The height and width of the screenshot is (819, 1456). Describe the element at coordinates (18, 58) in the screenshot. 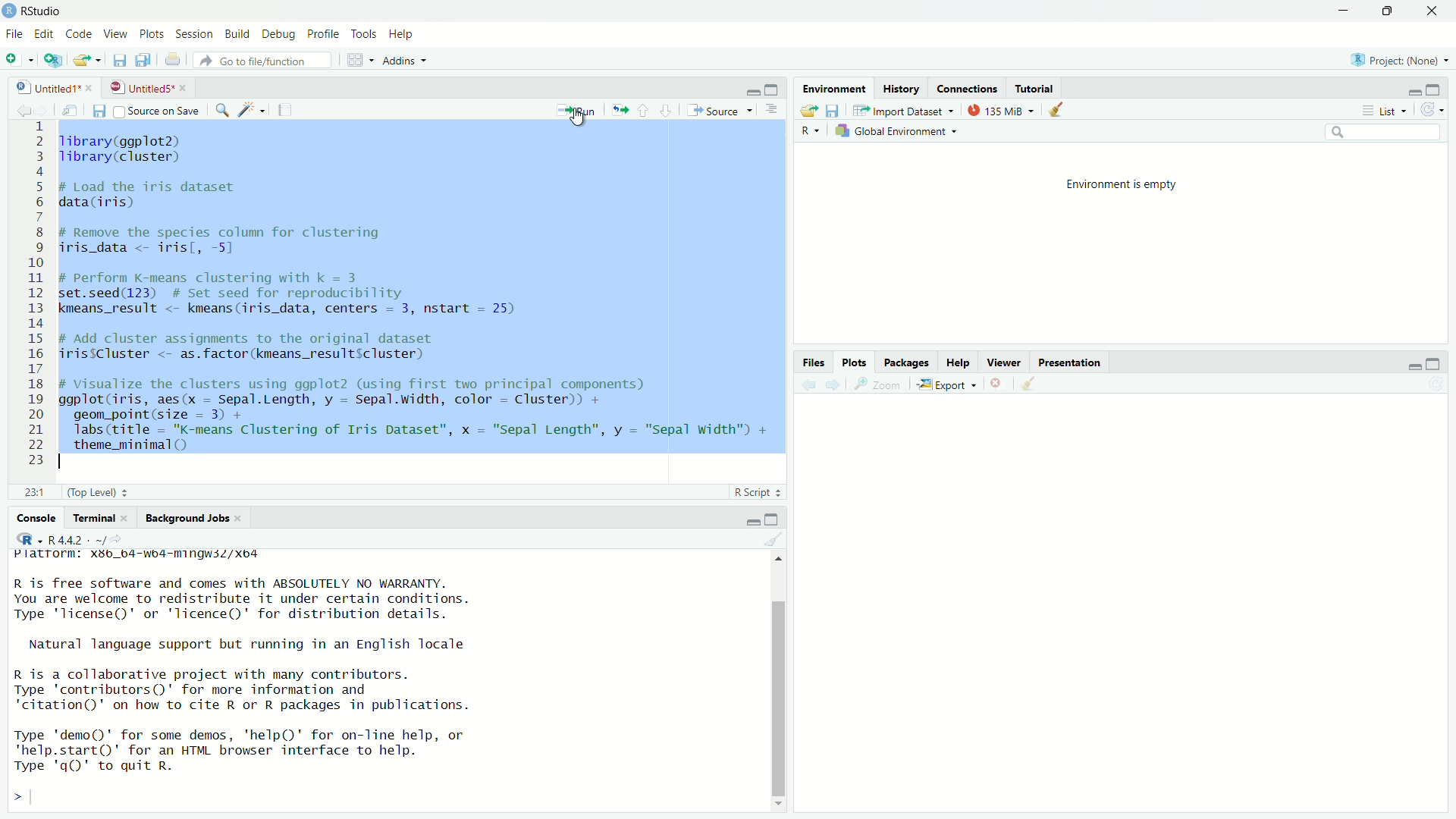

I see `new file` at that location.